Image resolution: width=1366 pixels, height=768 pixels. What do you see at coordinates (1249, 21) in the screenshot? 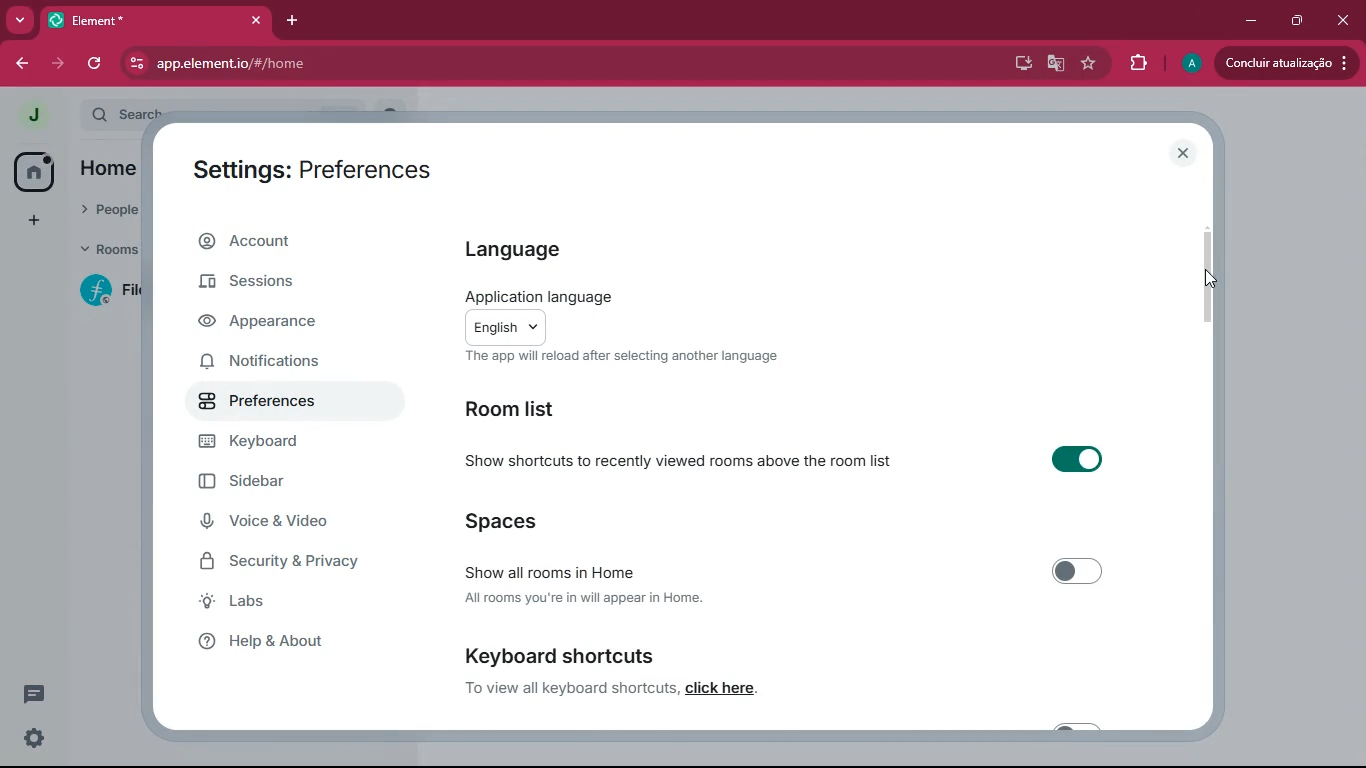
I see `minimize` at bounding box center [1249, 21].